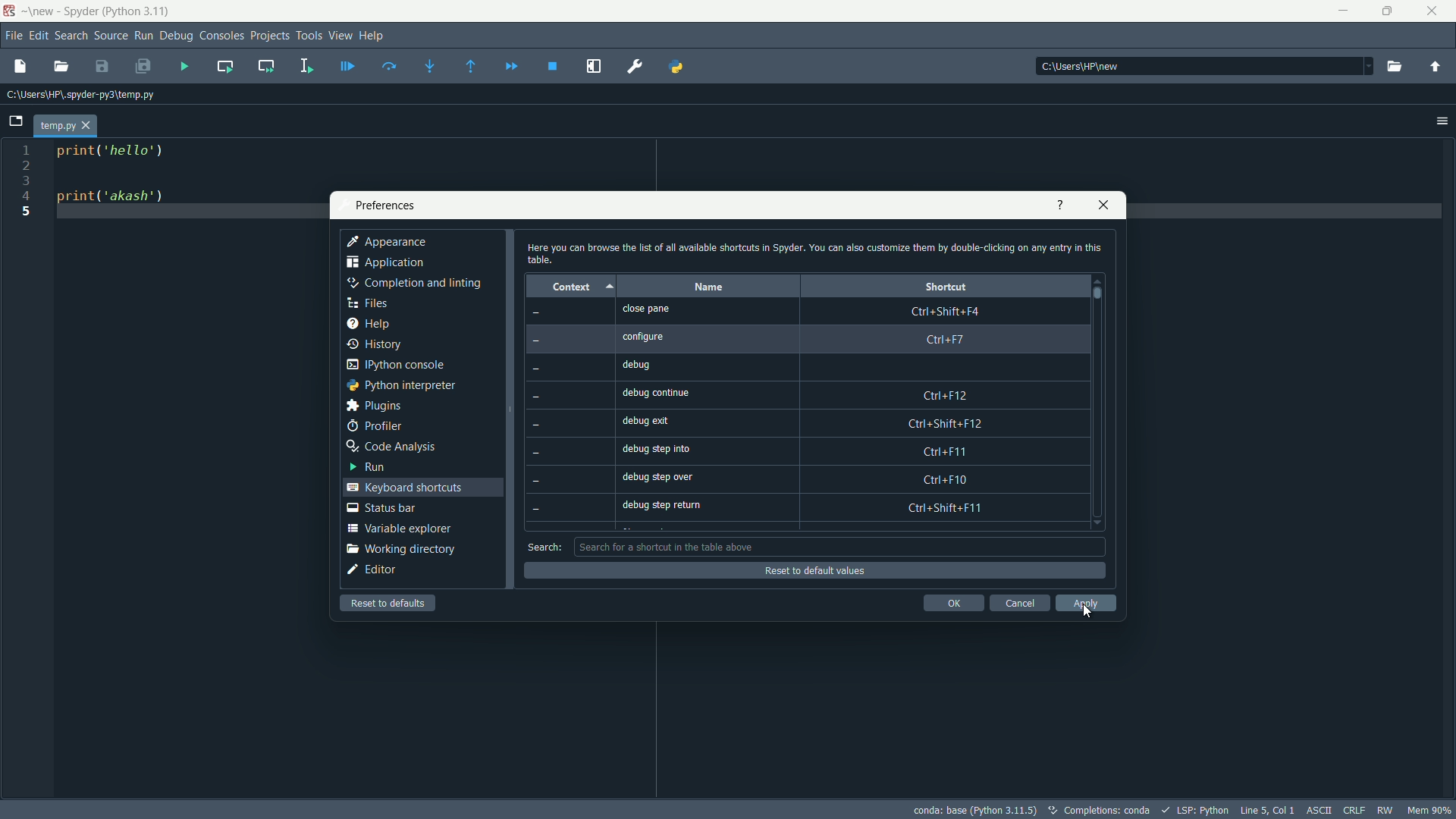 This screenshot has width=1456, height=819. Describe the element at coordinates (1101, 206) in the screenshot. I see `close` at that location.